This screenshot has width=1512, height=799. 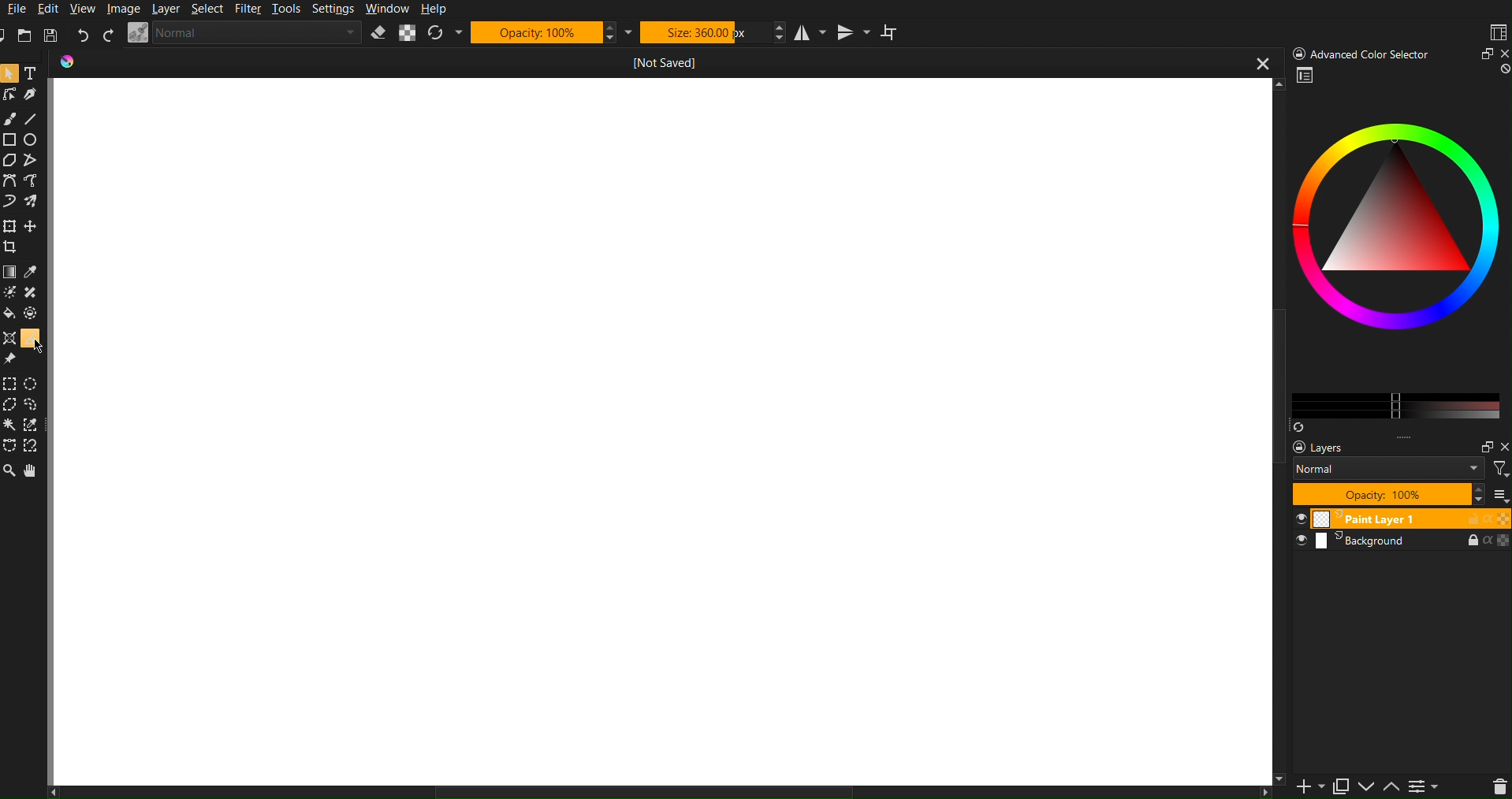 I want to click on Image , so click(x=122, y=9).